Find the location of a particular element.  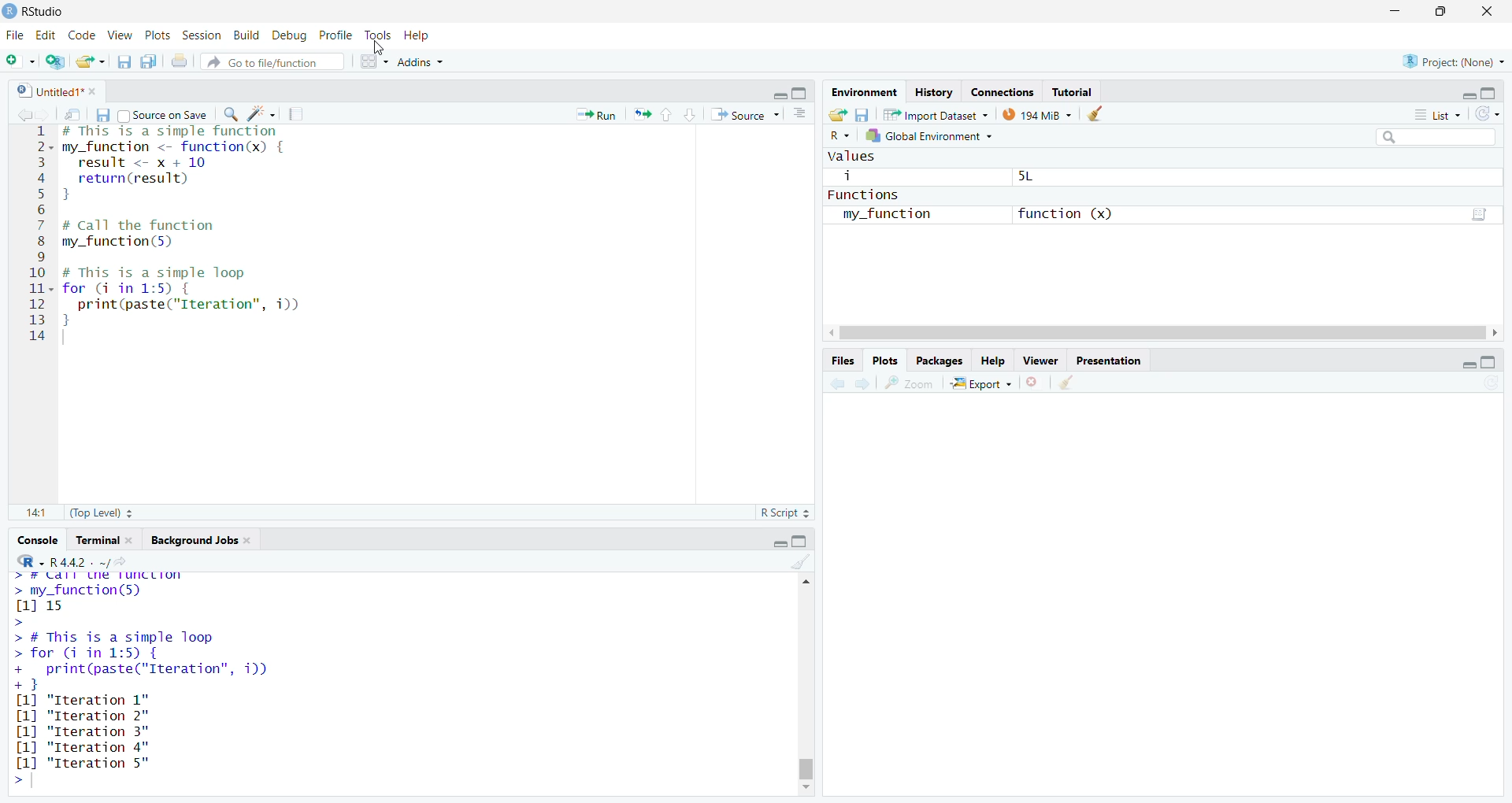

connections is located at coordinates (1001, 90).